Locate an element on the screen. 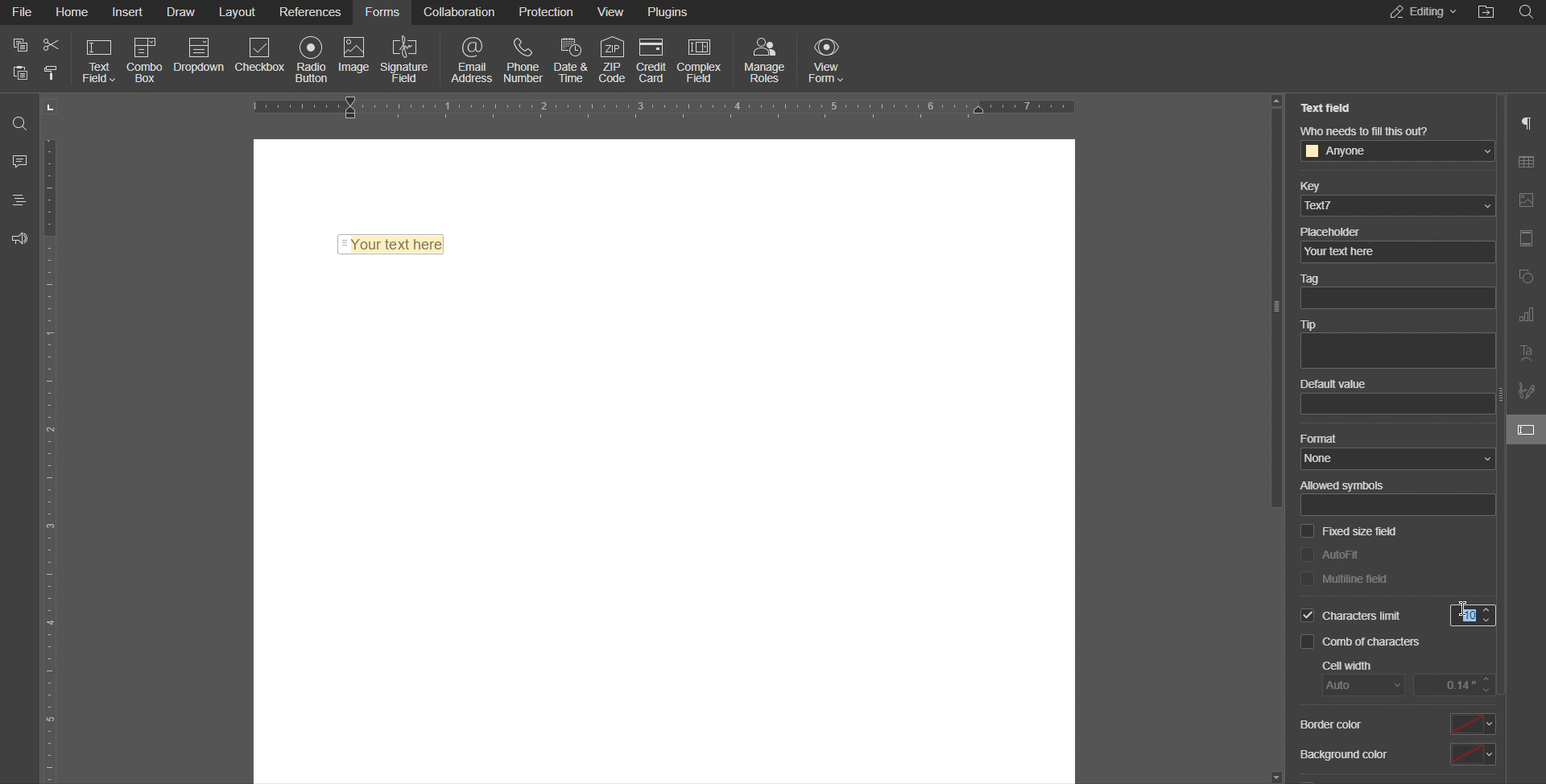  Tip is located at coordinates (1395, 341).